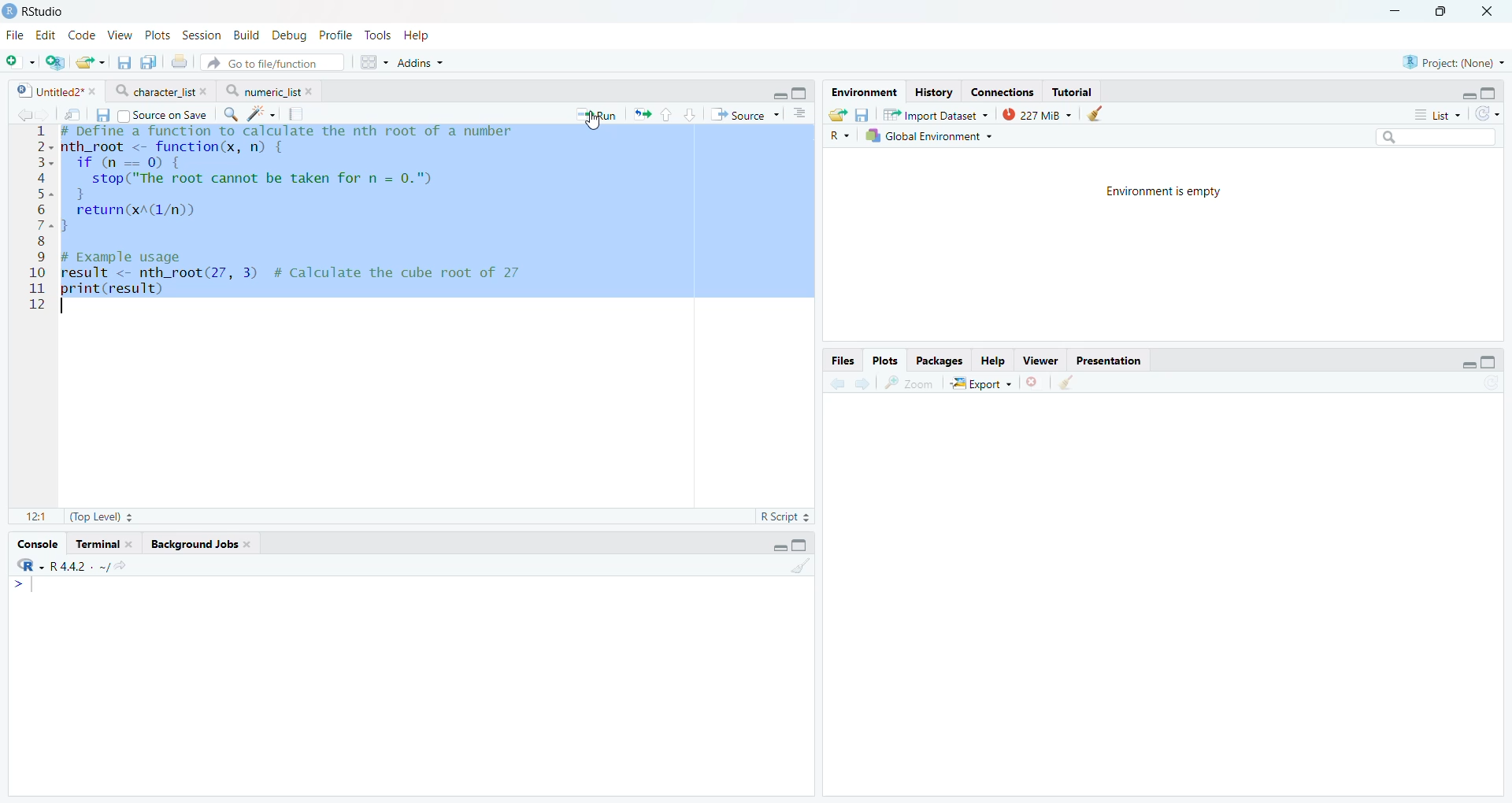 The width and height of the screenshot is (1512, 803). I want to click on character list, so click(161, 91).